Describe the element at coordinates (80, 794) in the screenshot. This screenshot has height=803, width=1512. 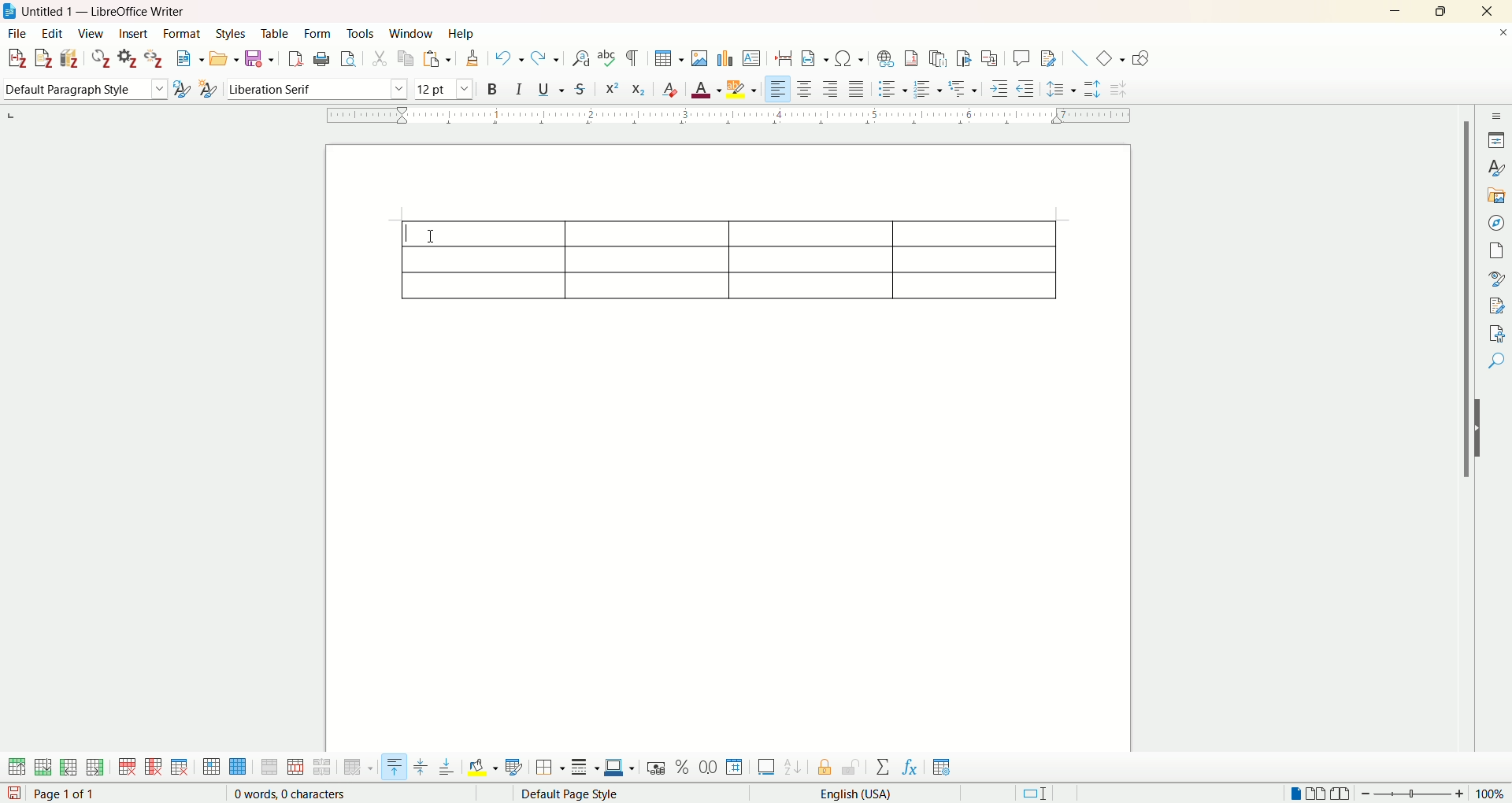
I see `page 1 of 1` at that location.